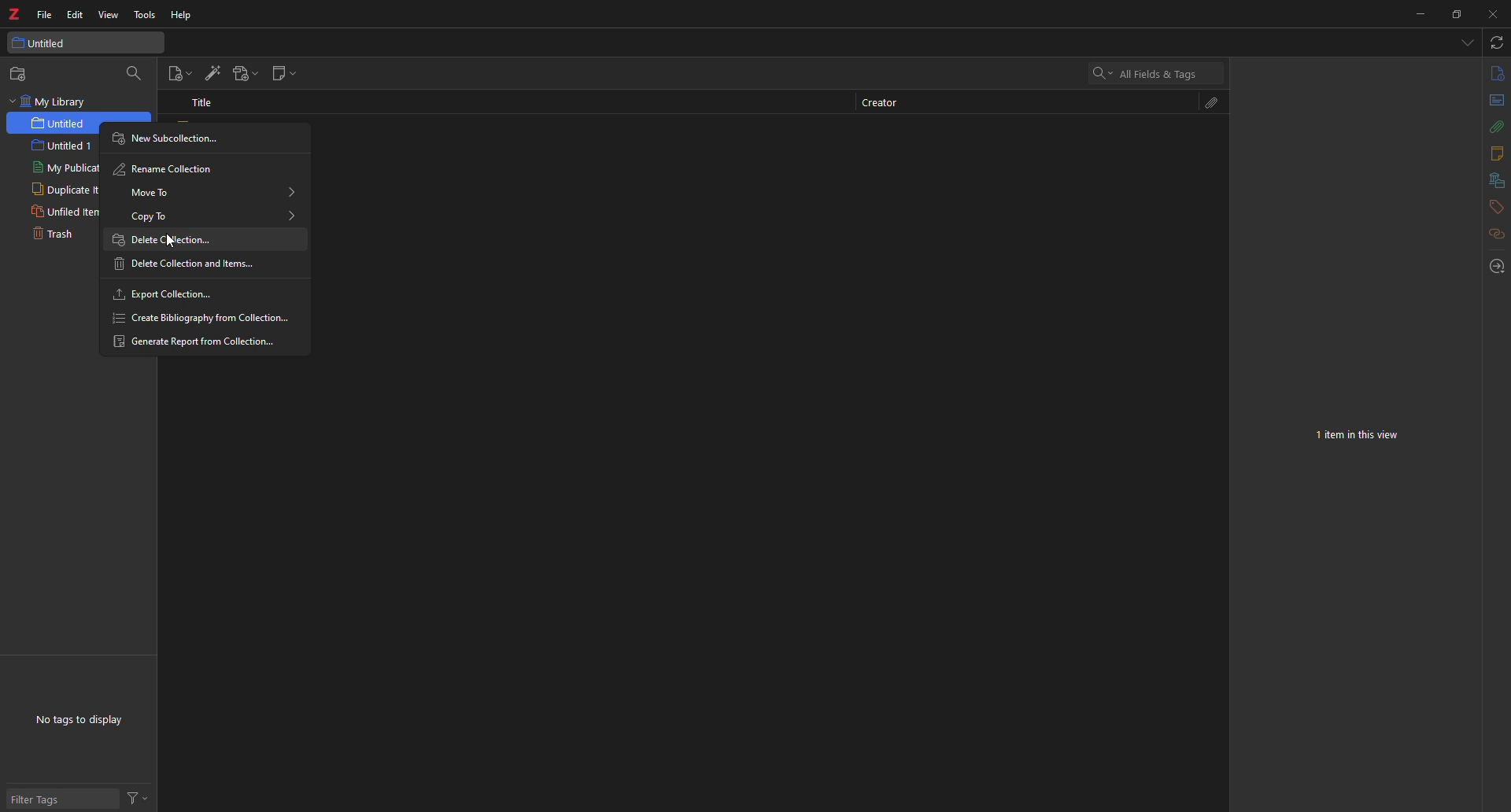 Image resolution: width=1511 pixels, height=812 pixels. I want to click on minimize, so click(1415, 16).